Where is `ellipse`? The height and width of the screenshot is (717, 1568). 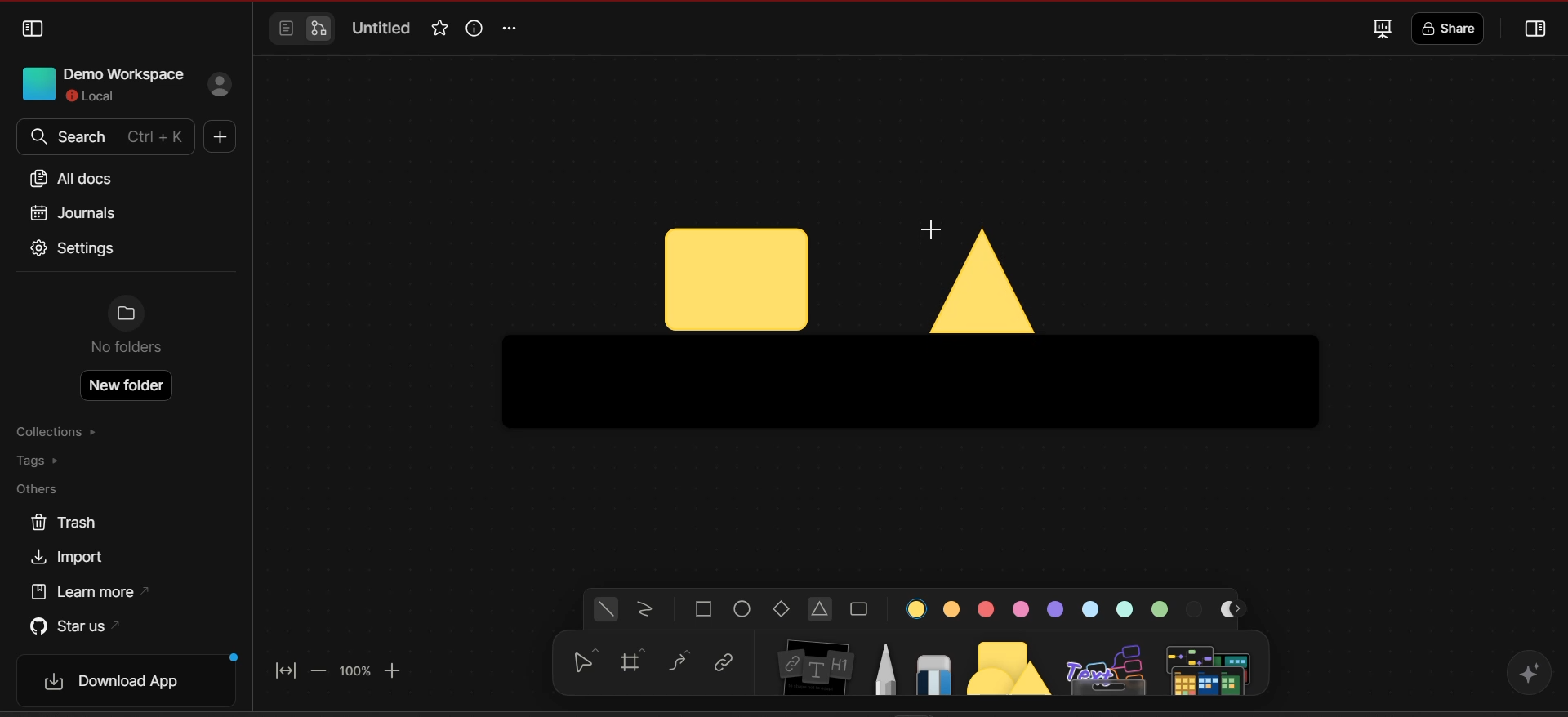
ellipse is located at coordinates (744, 609).